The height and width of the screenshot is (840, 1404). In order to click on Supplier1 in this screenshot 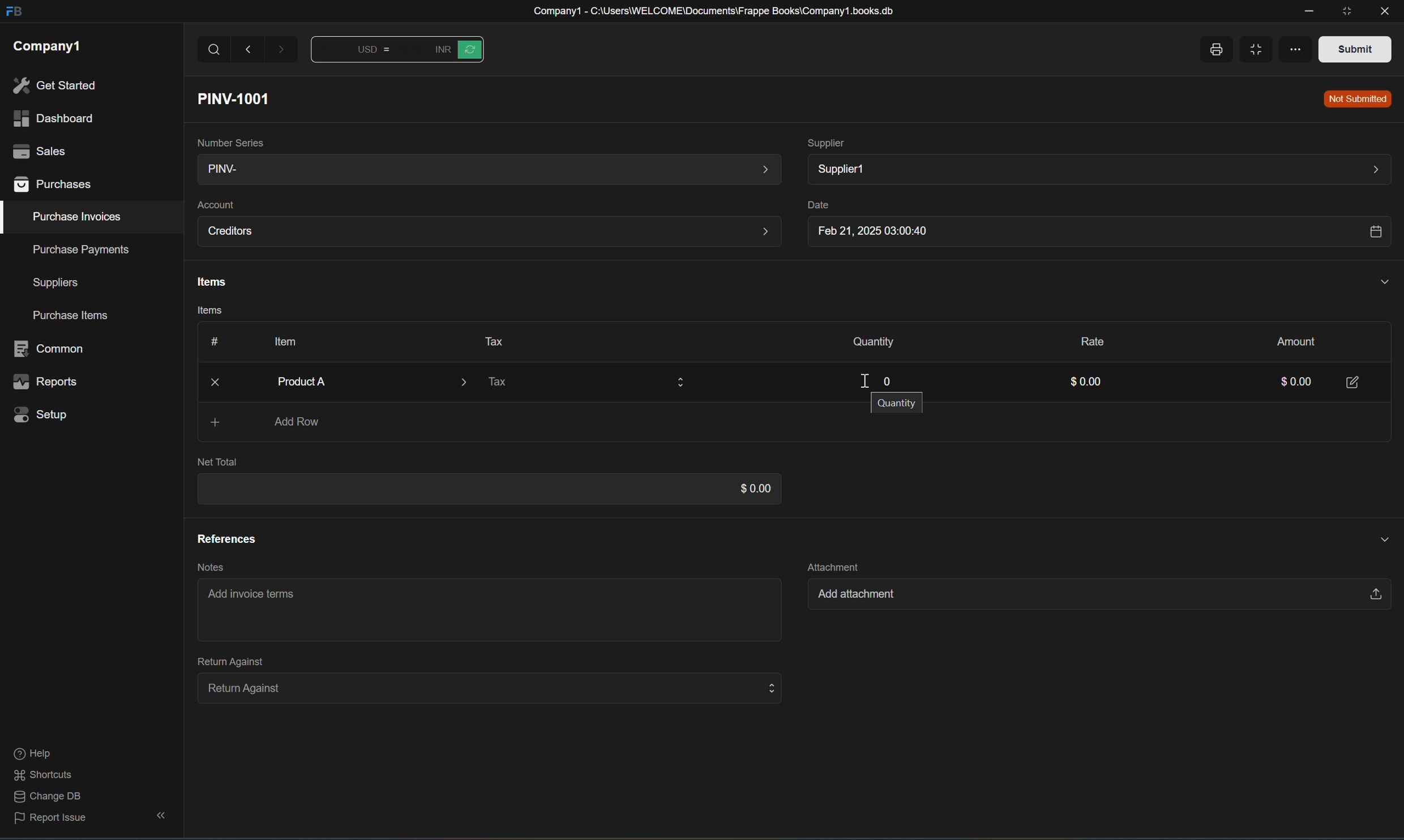, I will do `click(1097, 169)`.